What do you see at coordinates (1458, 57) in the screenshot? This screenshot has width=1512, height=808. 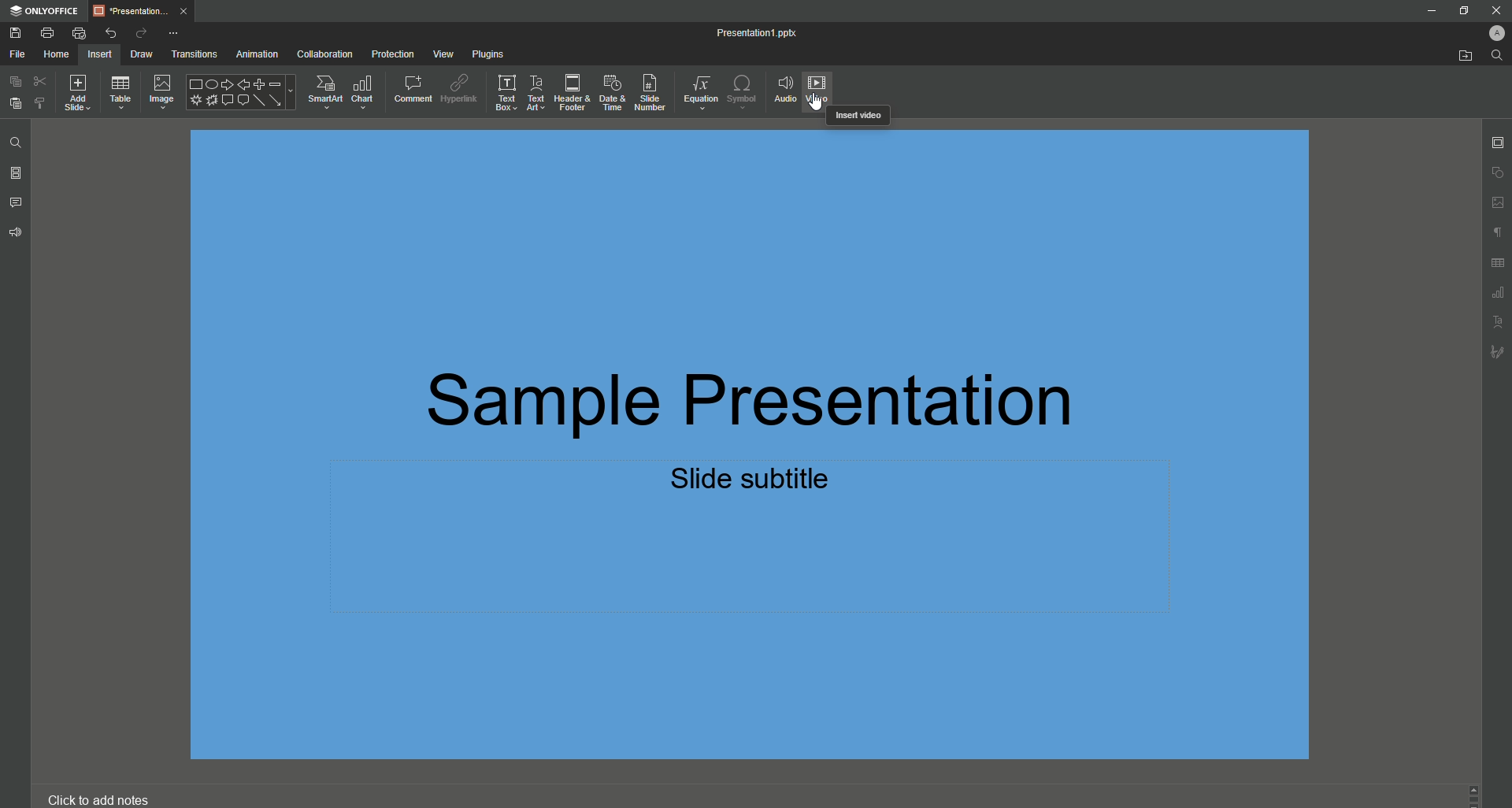 I see `Open From File` at bounding box center [1458, 57].